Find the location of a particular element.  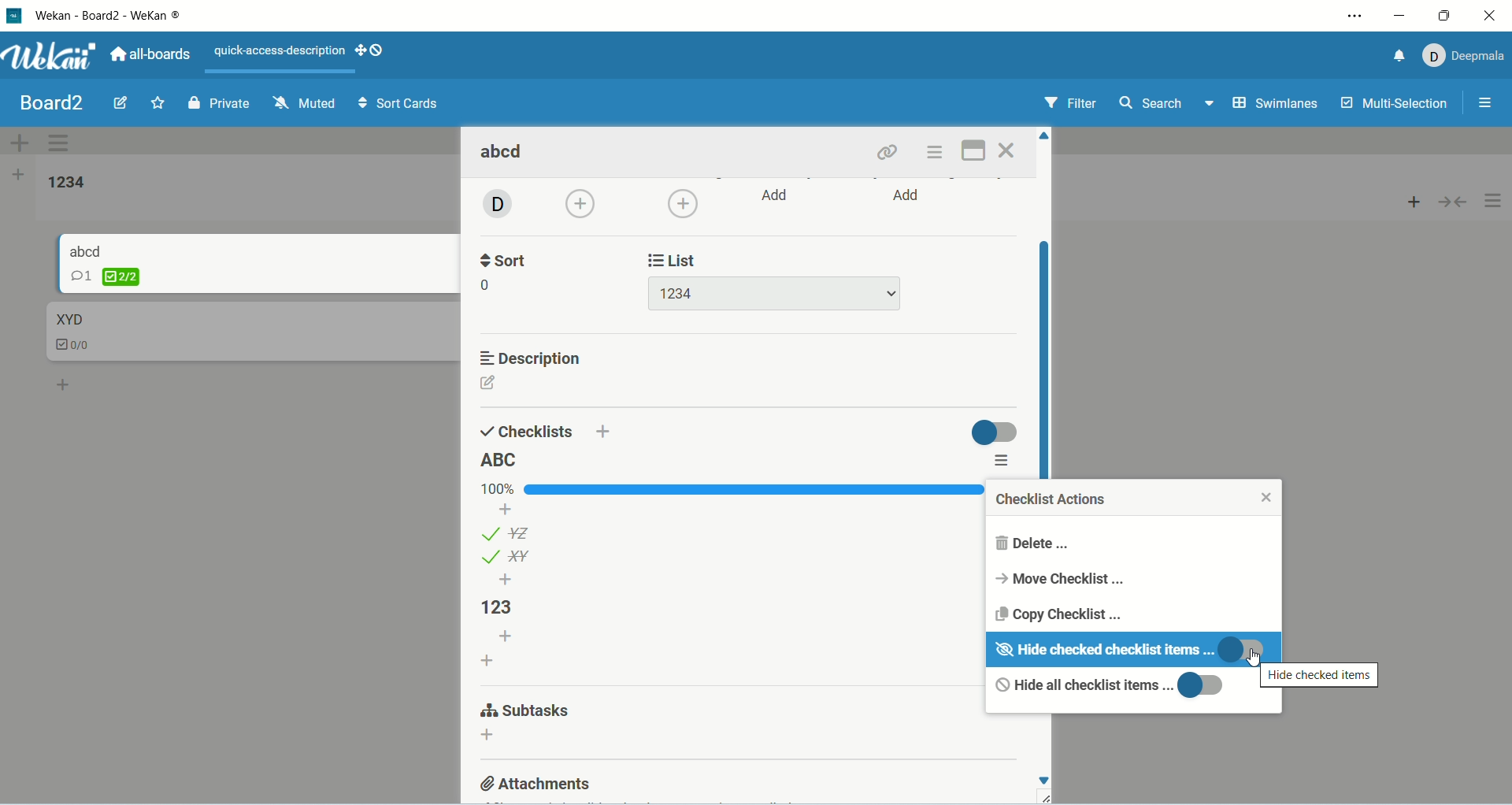

card title is located at coordinates (505, 154).